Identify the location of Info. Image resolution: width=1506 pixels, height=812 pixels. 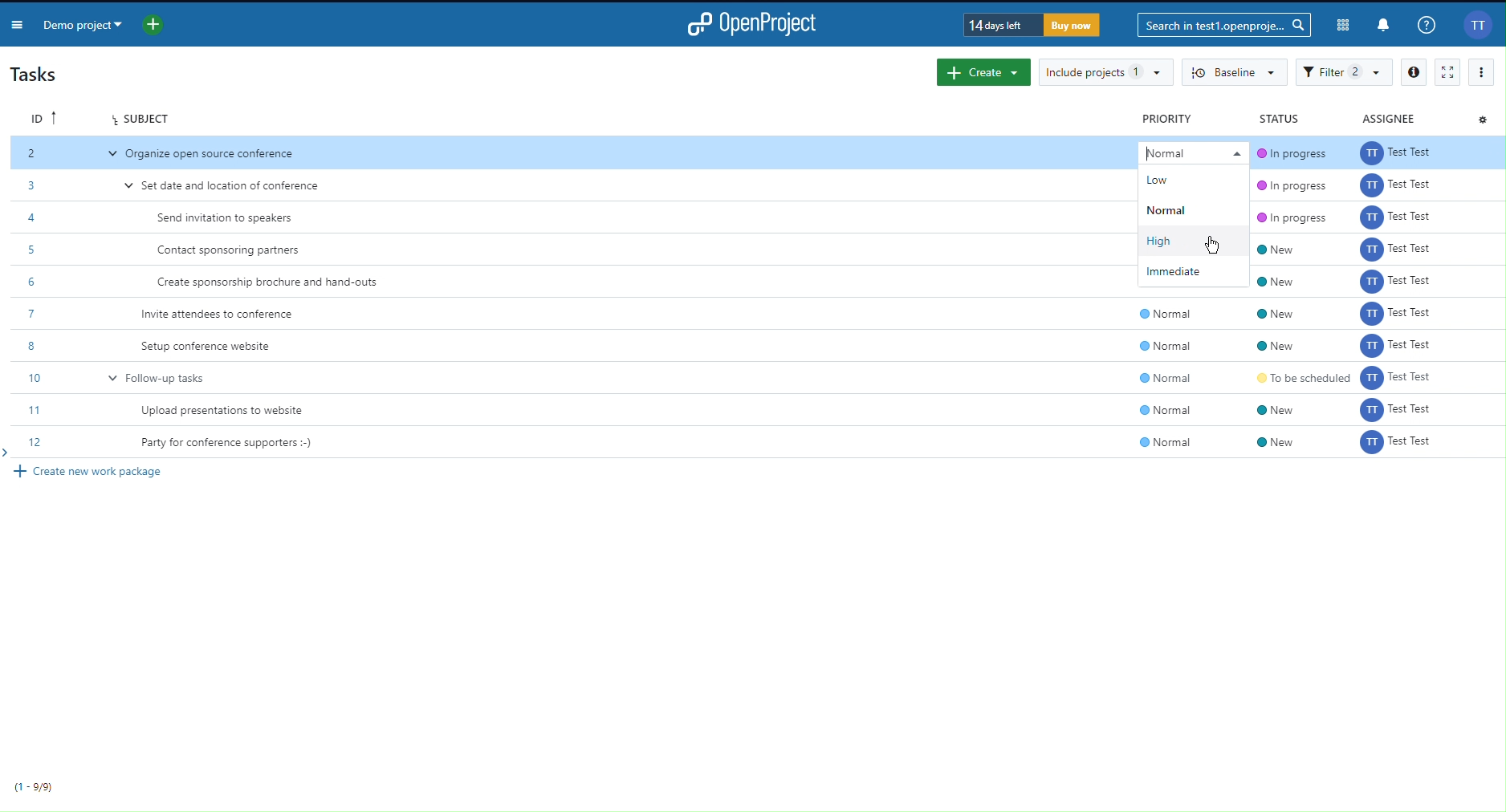
(1413, 71).